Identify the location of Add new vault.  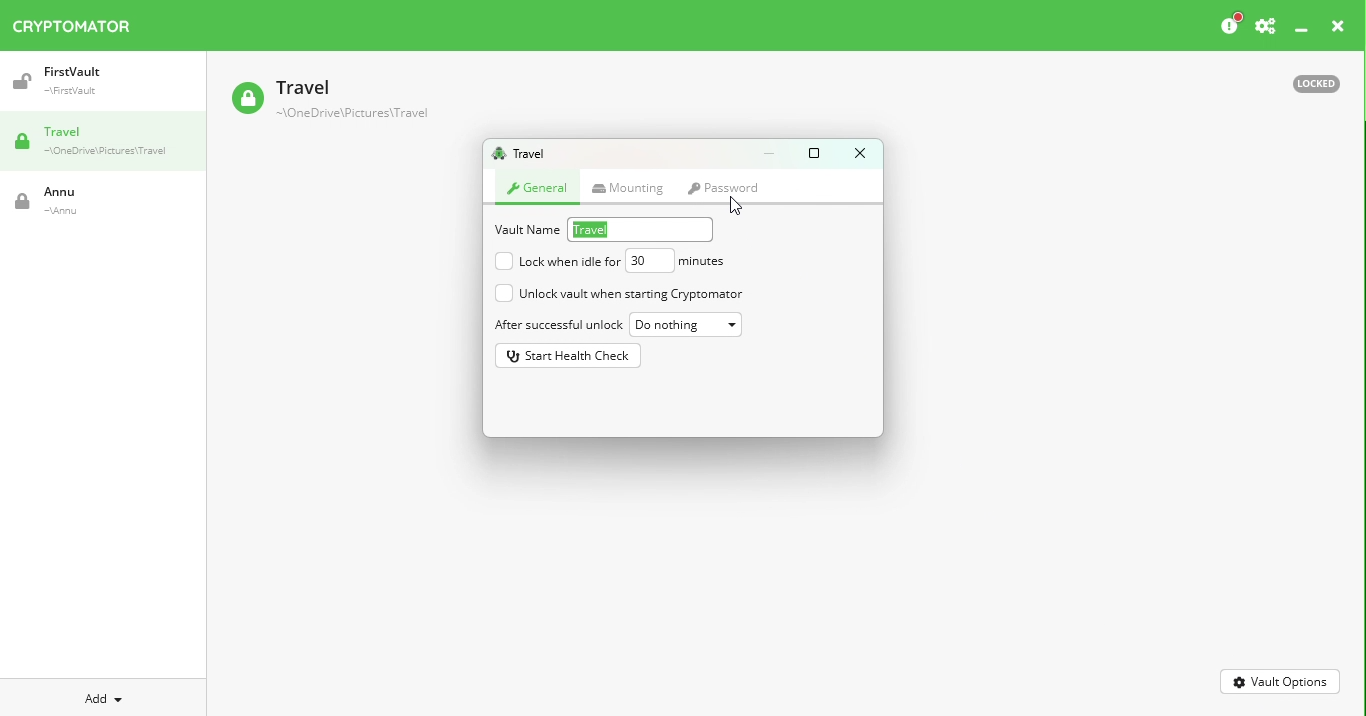
(104, 696).